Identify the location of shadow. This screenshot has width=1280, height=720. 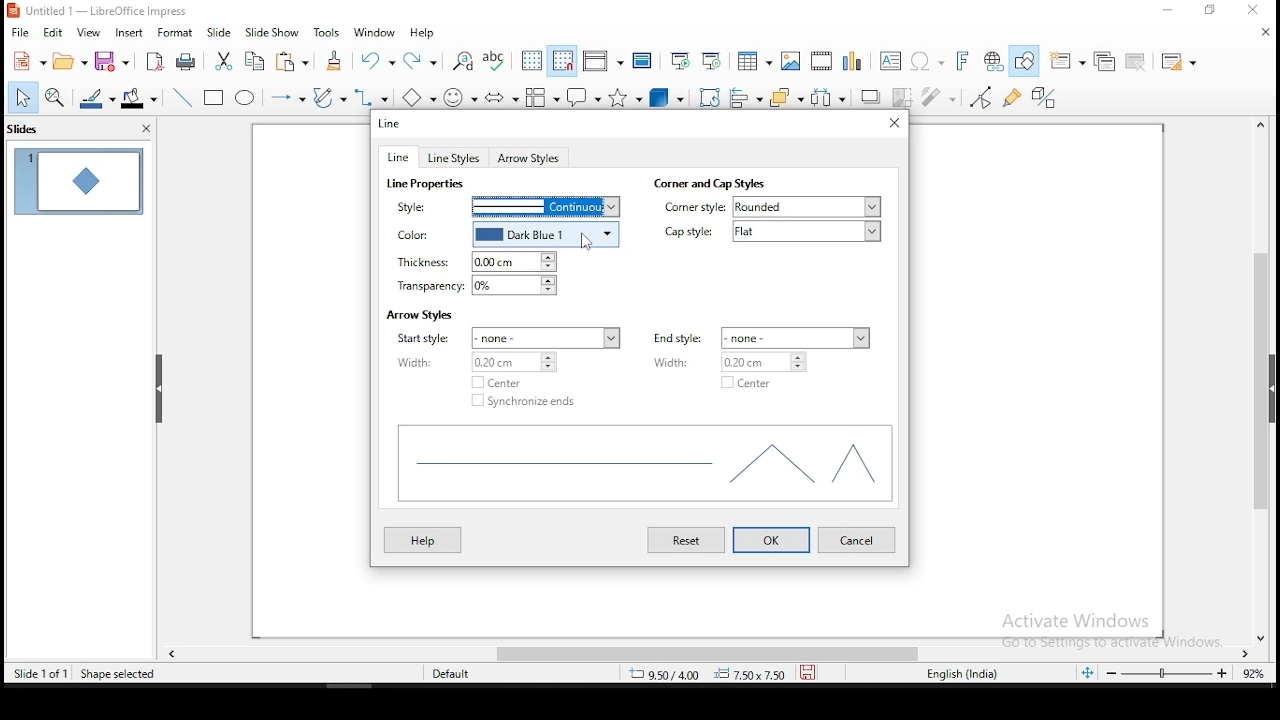
(871, 96).